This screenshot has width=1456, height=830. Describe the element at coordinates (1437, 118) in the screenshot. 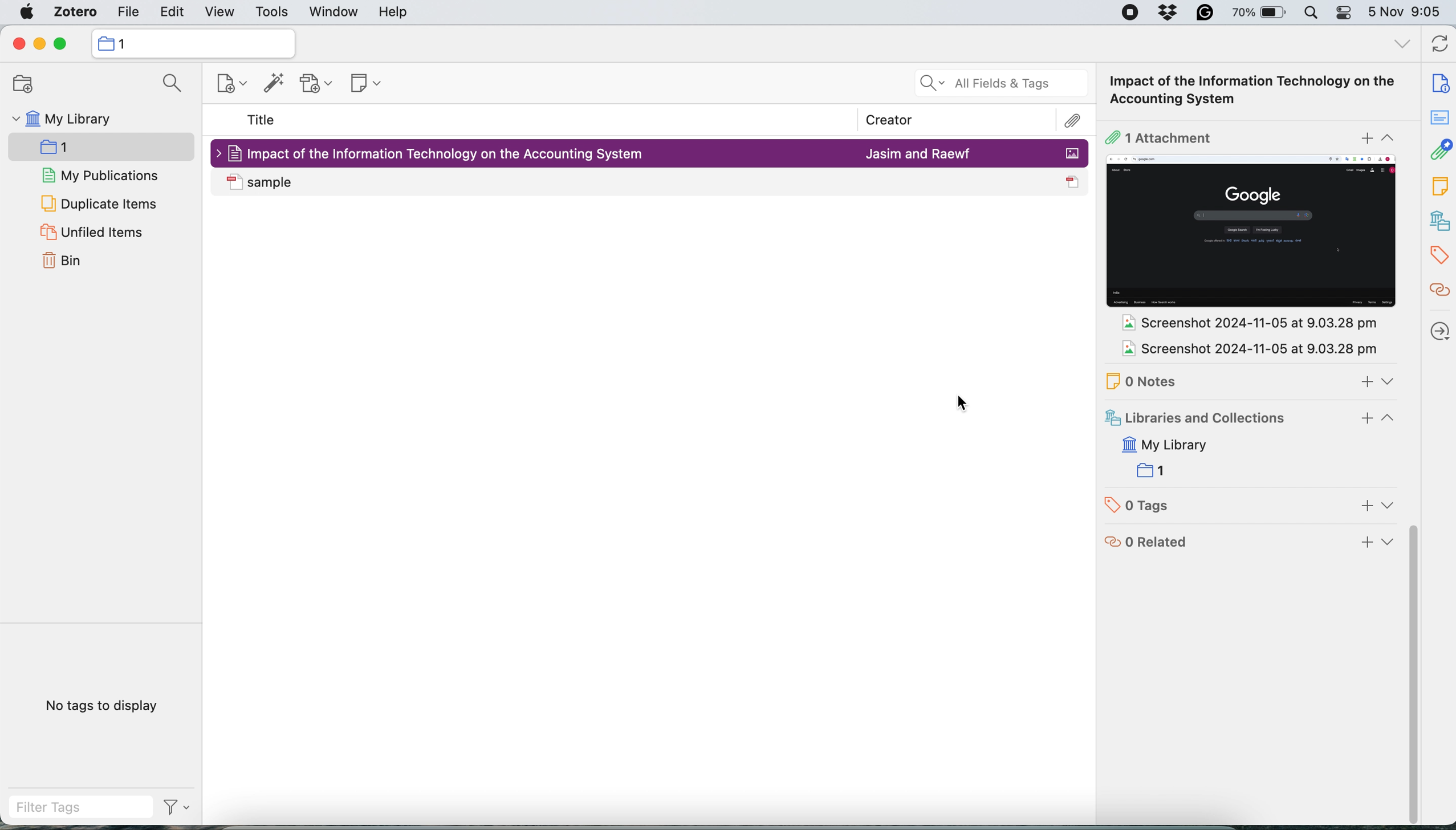

I see `abstract` at that location.